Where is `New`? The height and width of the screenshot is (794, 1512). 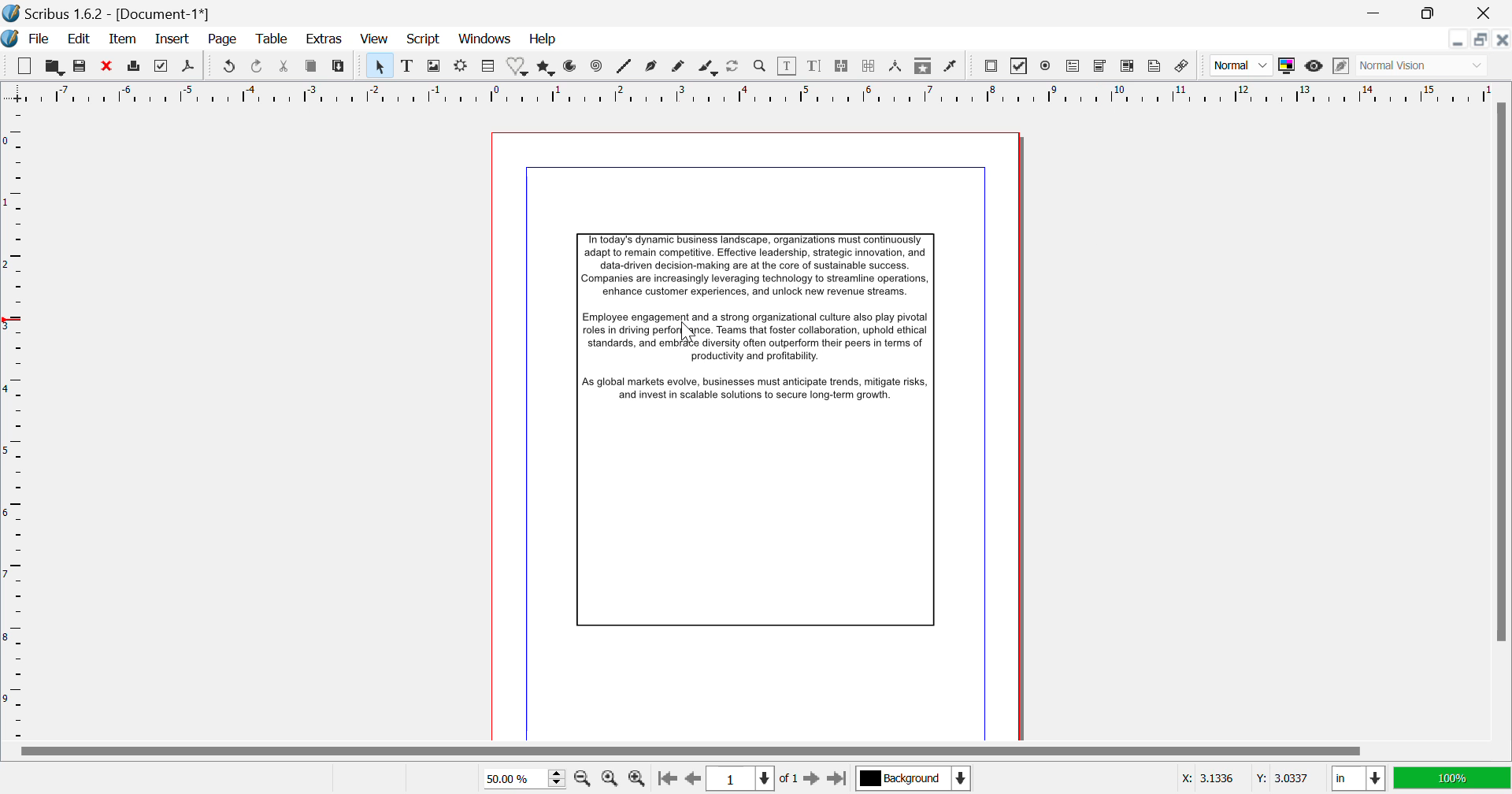 New is located at coordinates (24, 63).